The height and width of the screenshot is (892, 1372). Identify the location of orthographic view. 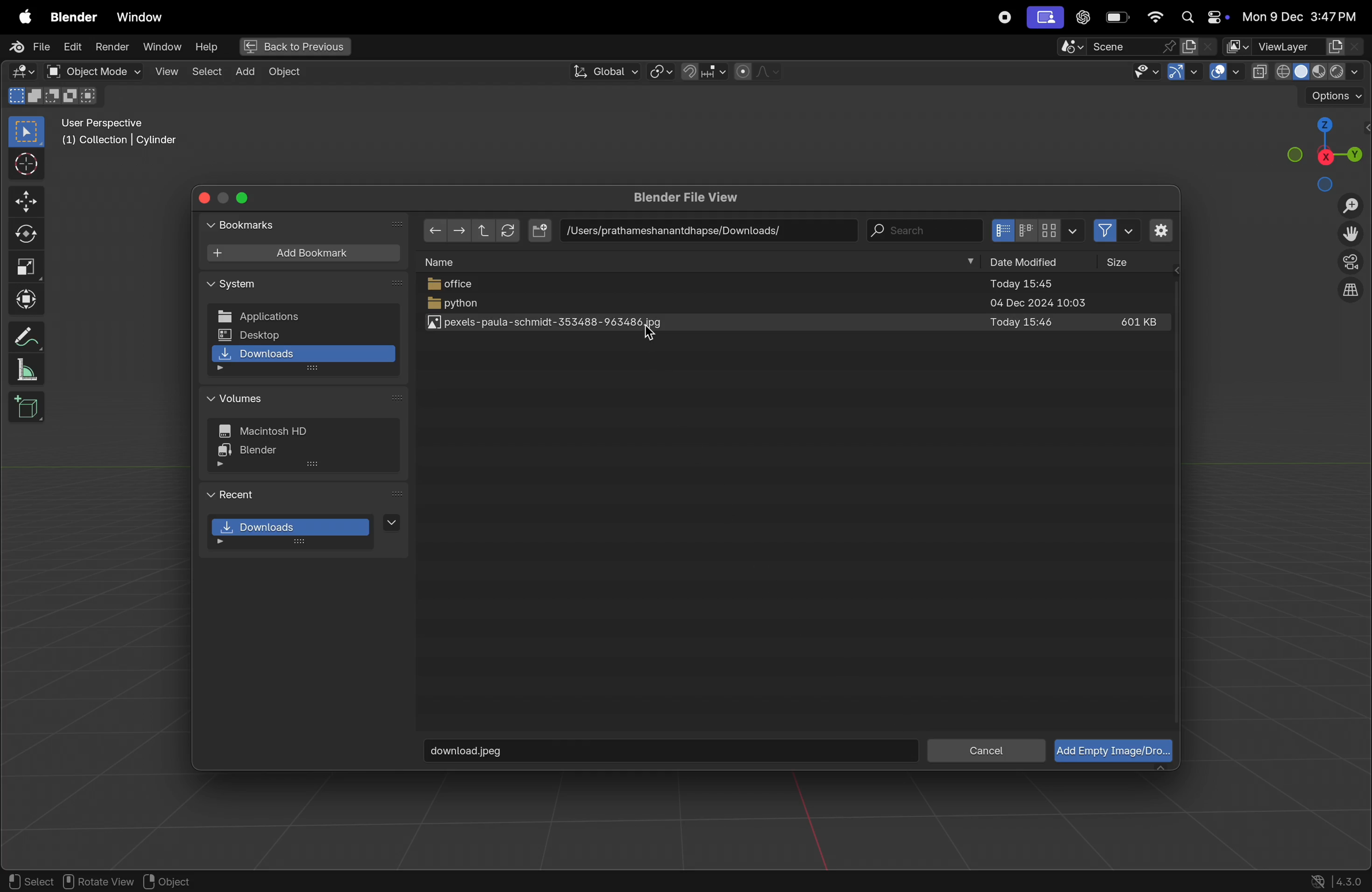
(1353, 293).